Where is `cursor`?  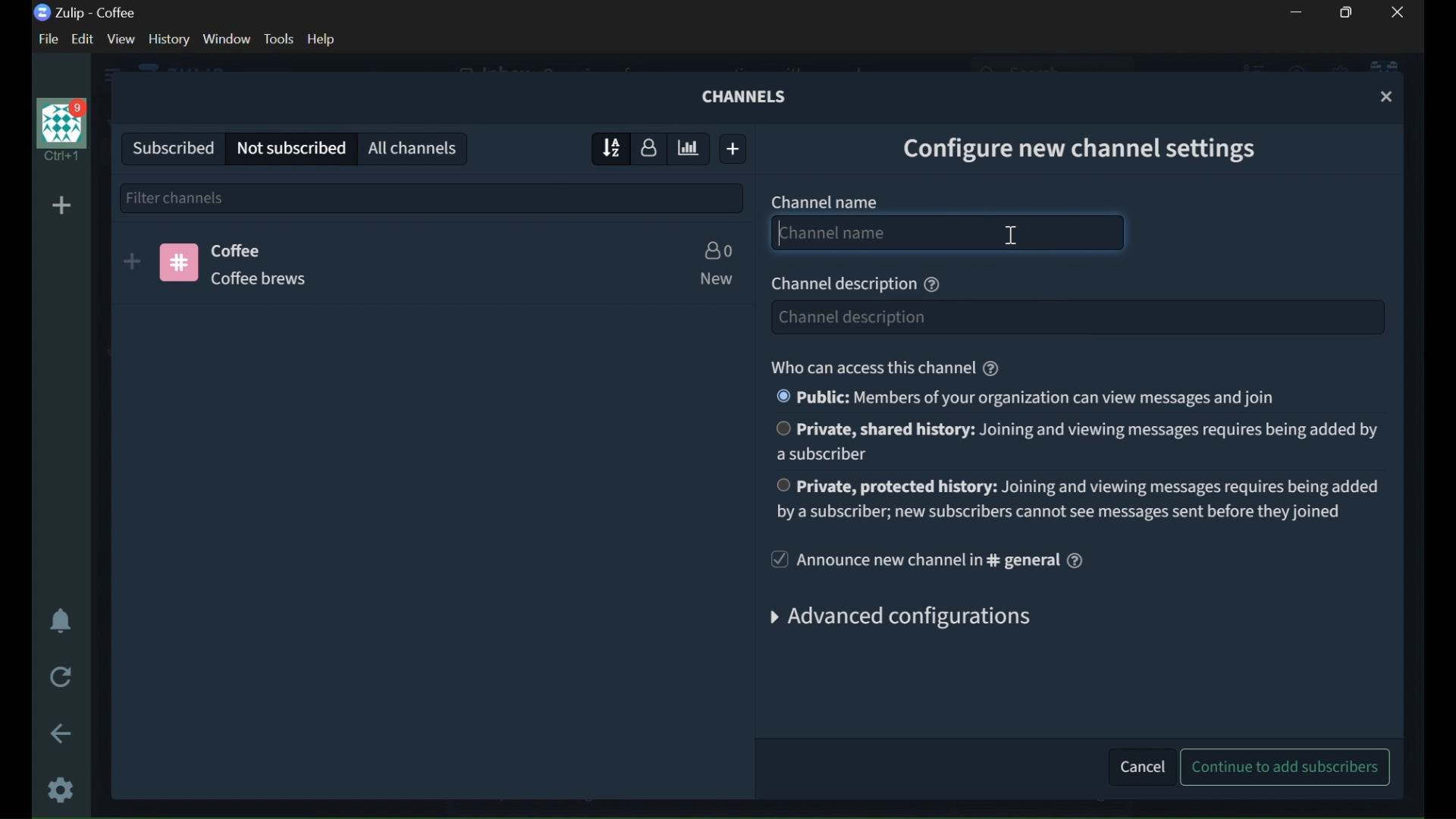
cursor is located at coordinates (1012, 237).